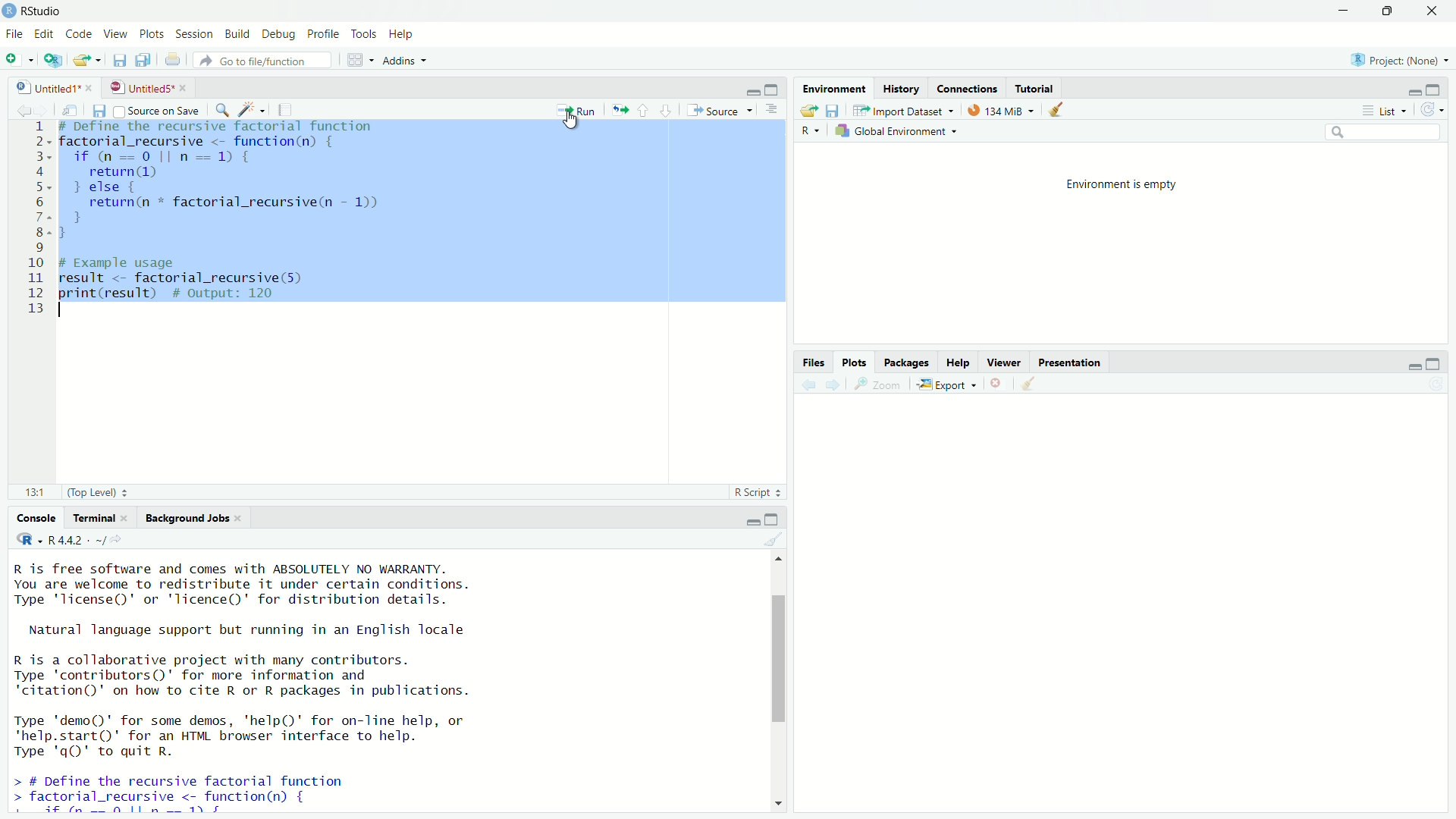 This screenshot has width=1456, height=819. Describe the element at coordinates (54, 61) in the screenshot. I see `Create a project` at that location.